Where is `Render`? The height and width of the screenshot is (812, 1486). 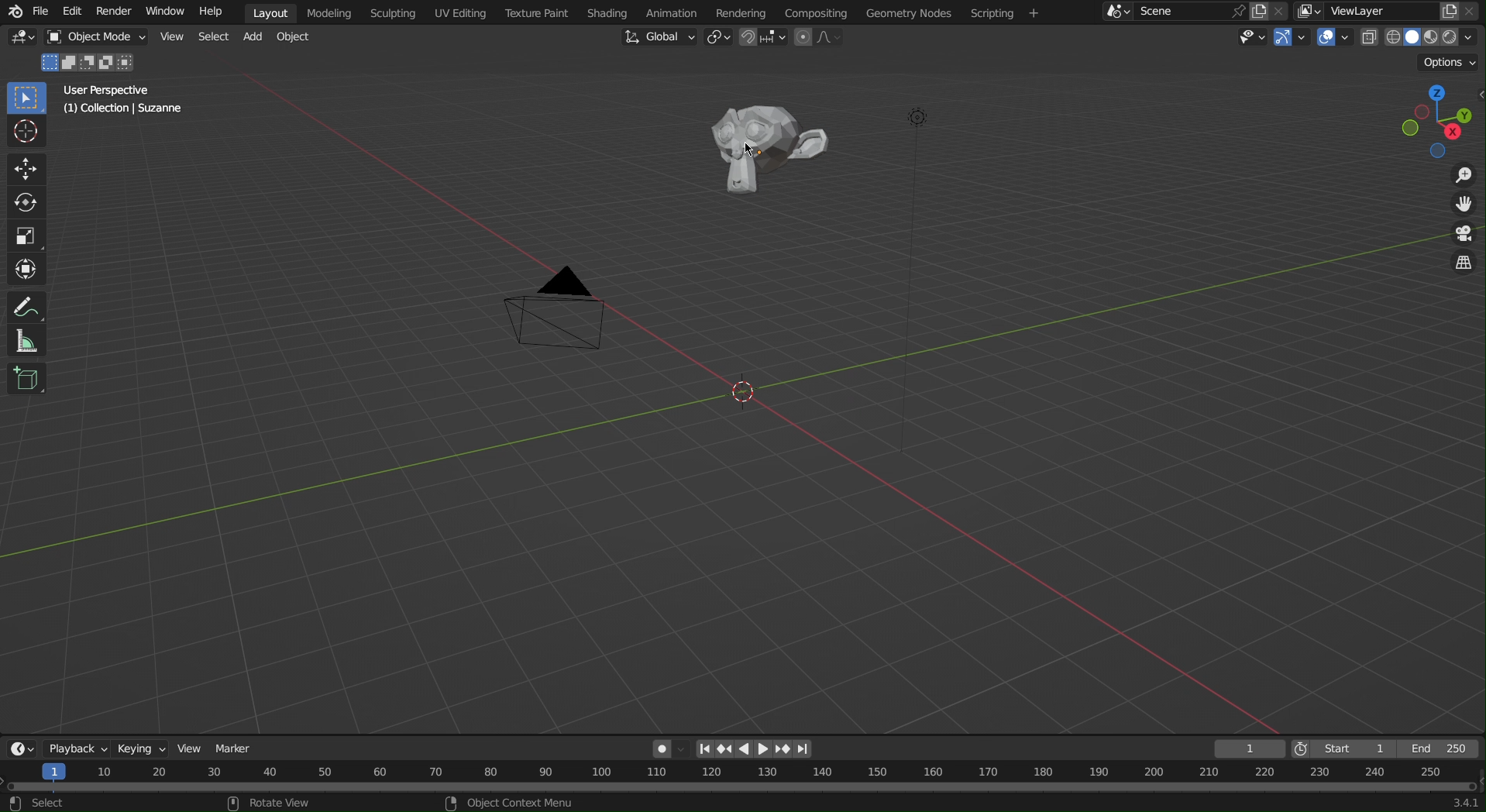 Render is located at coordinates (115, 14).